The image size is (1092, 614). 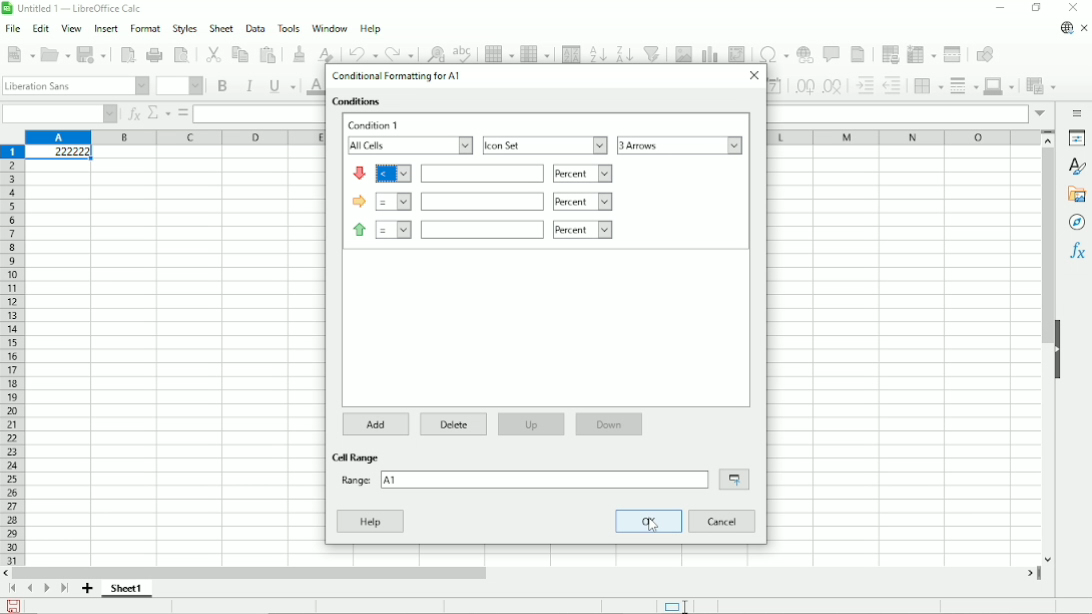 What do you see at coordinates (396, 76) in the screenshot?
I see `Conditional formatting for A1` at bounding box center [396, 76].